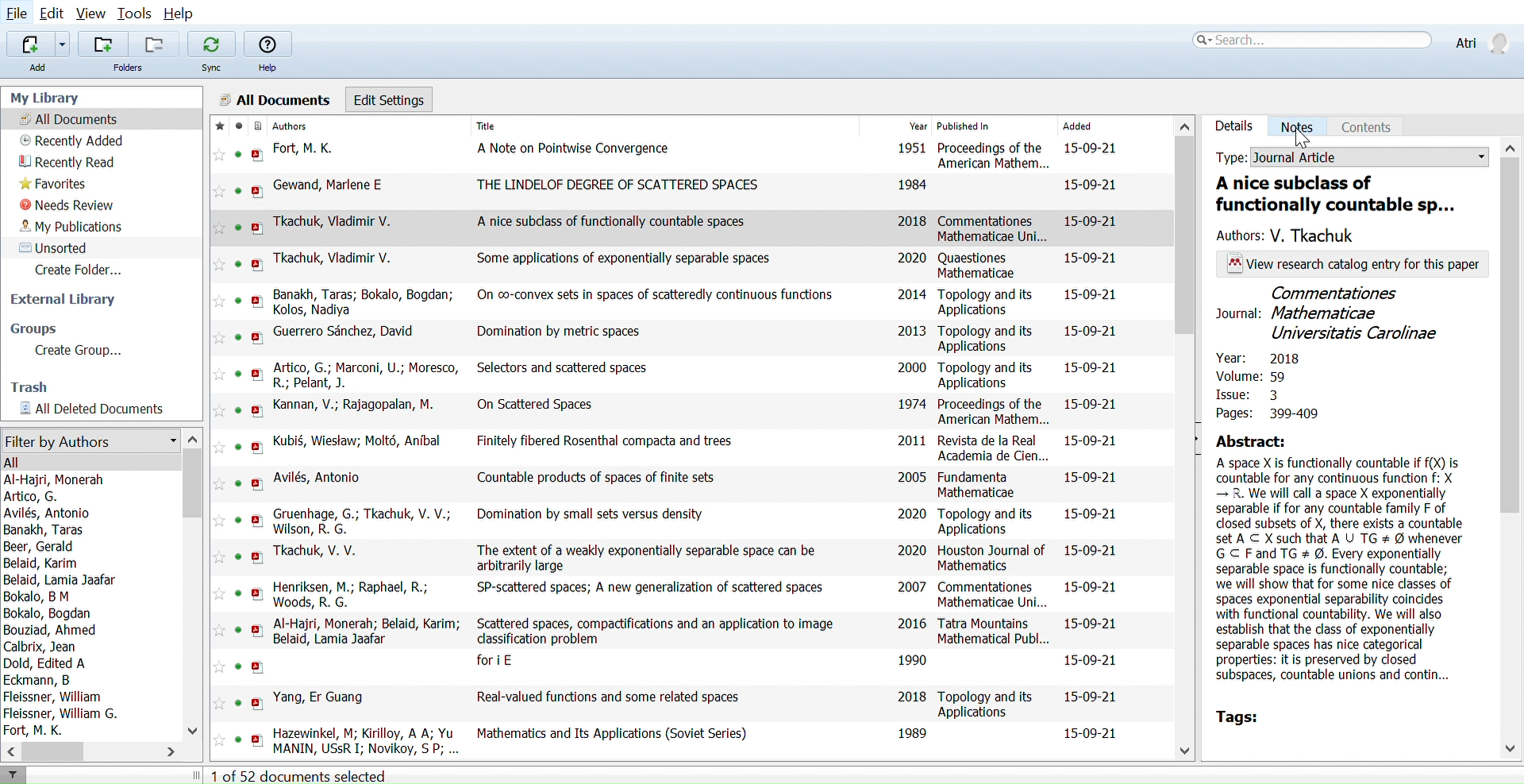 This screenshot has height=784, width=1524. I want to click on Add files options, so click(65, 44).